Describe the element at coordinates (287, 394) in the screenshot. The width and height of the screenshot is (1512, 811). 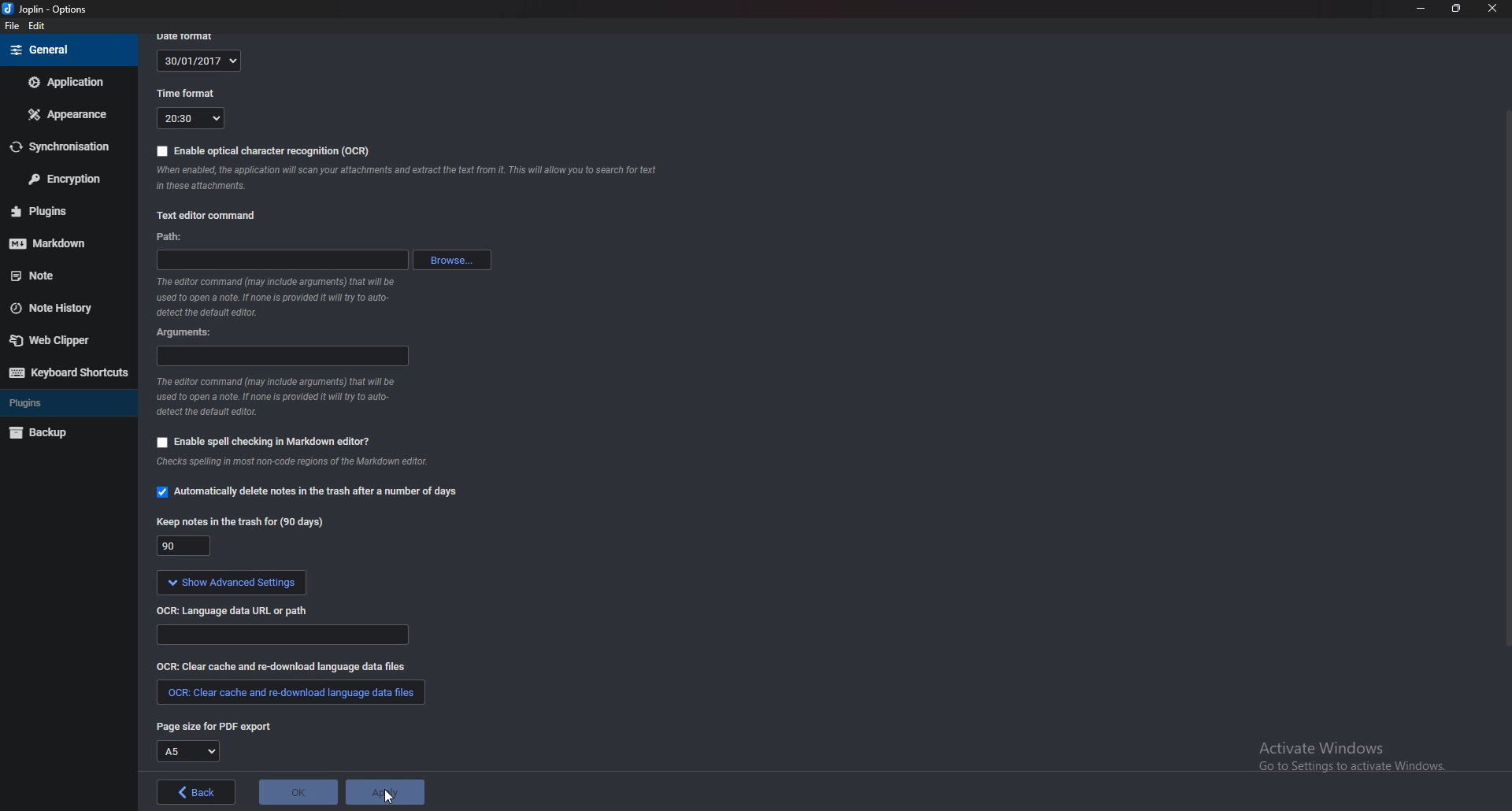
I see `Info on editor command` at that location.